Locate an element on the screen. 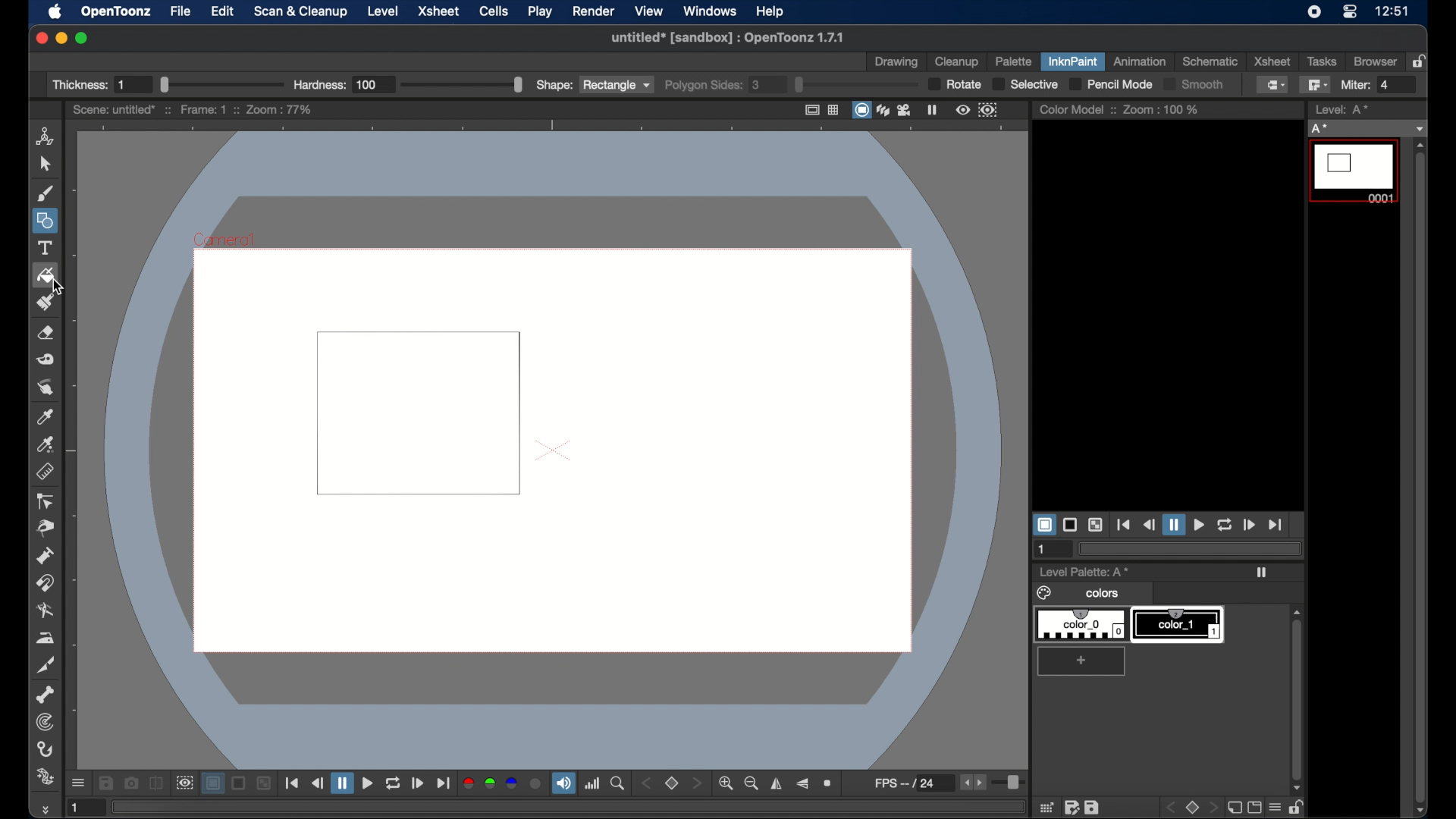  Smooth is located at coordinates (1201, 86).